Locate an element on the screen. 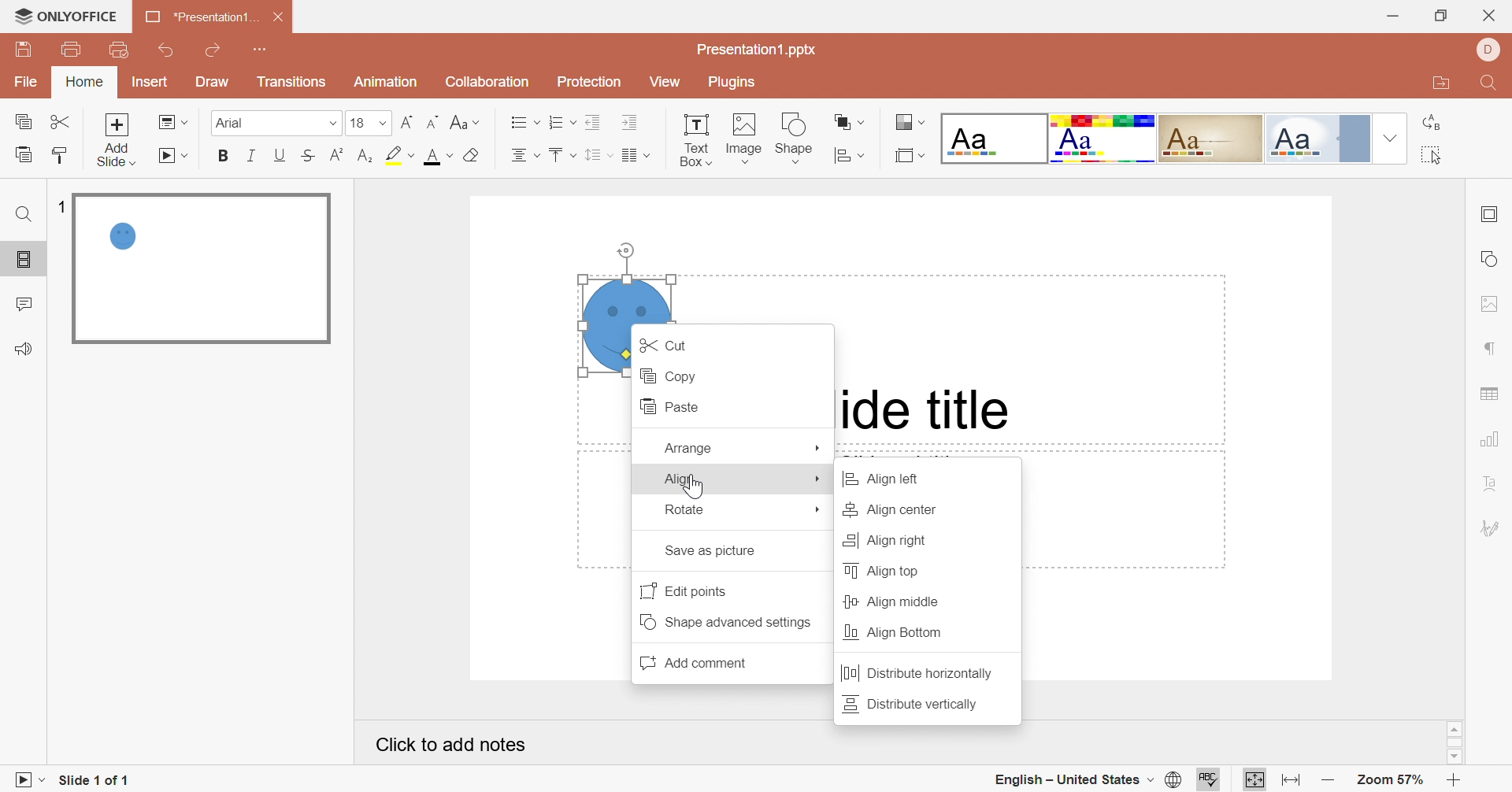 The height and width of the screenshot is (792, 1512). Minimize is located at coordinates (1390, 16).